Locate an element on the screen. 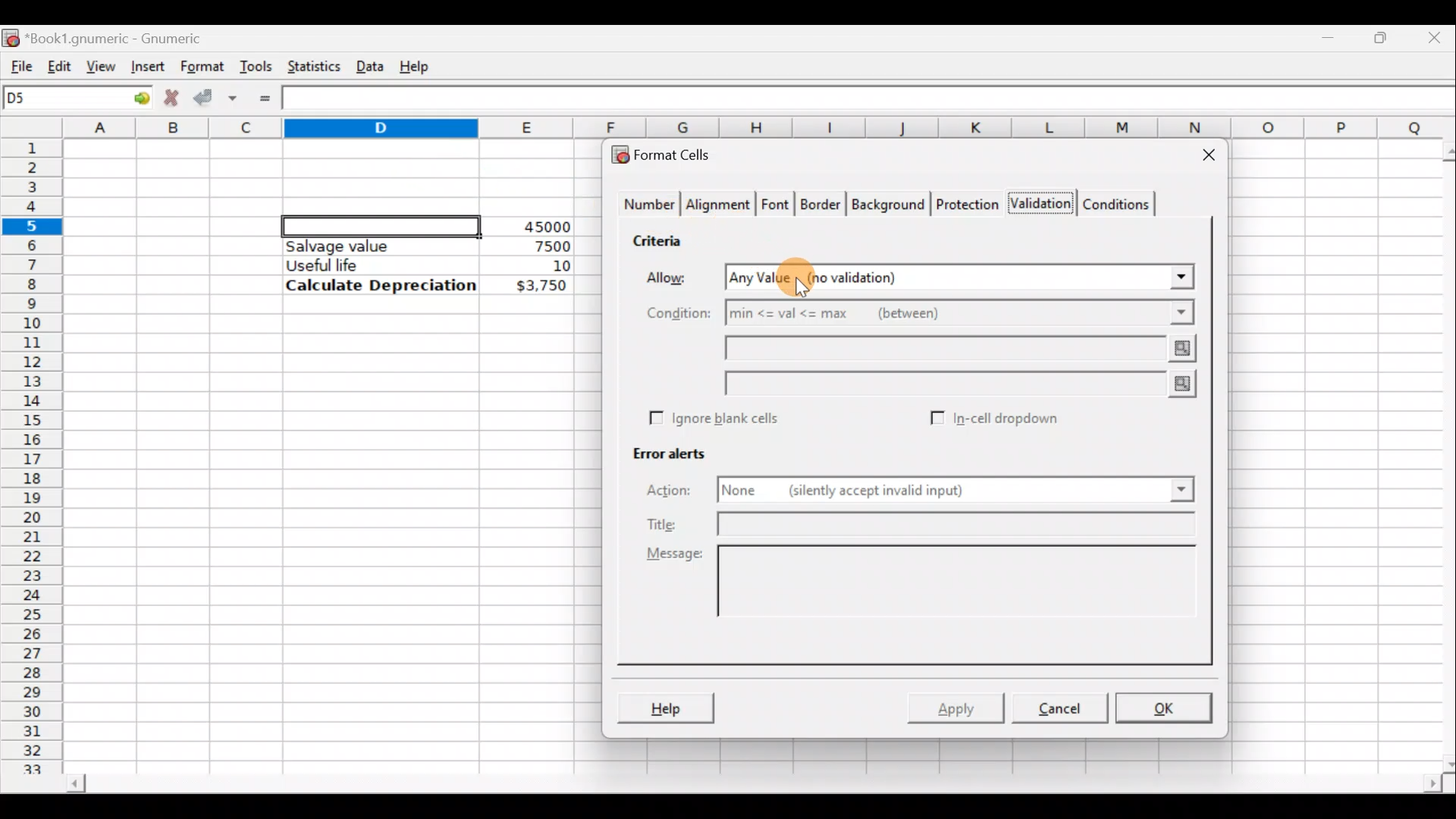  max value is located at coordinates (959, 381).